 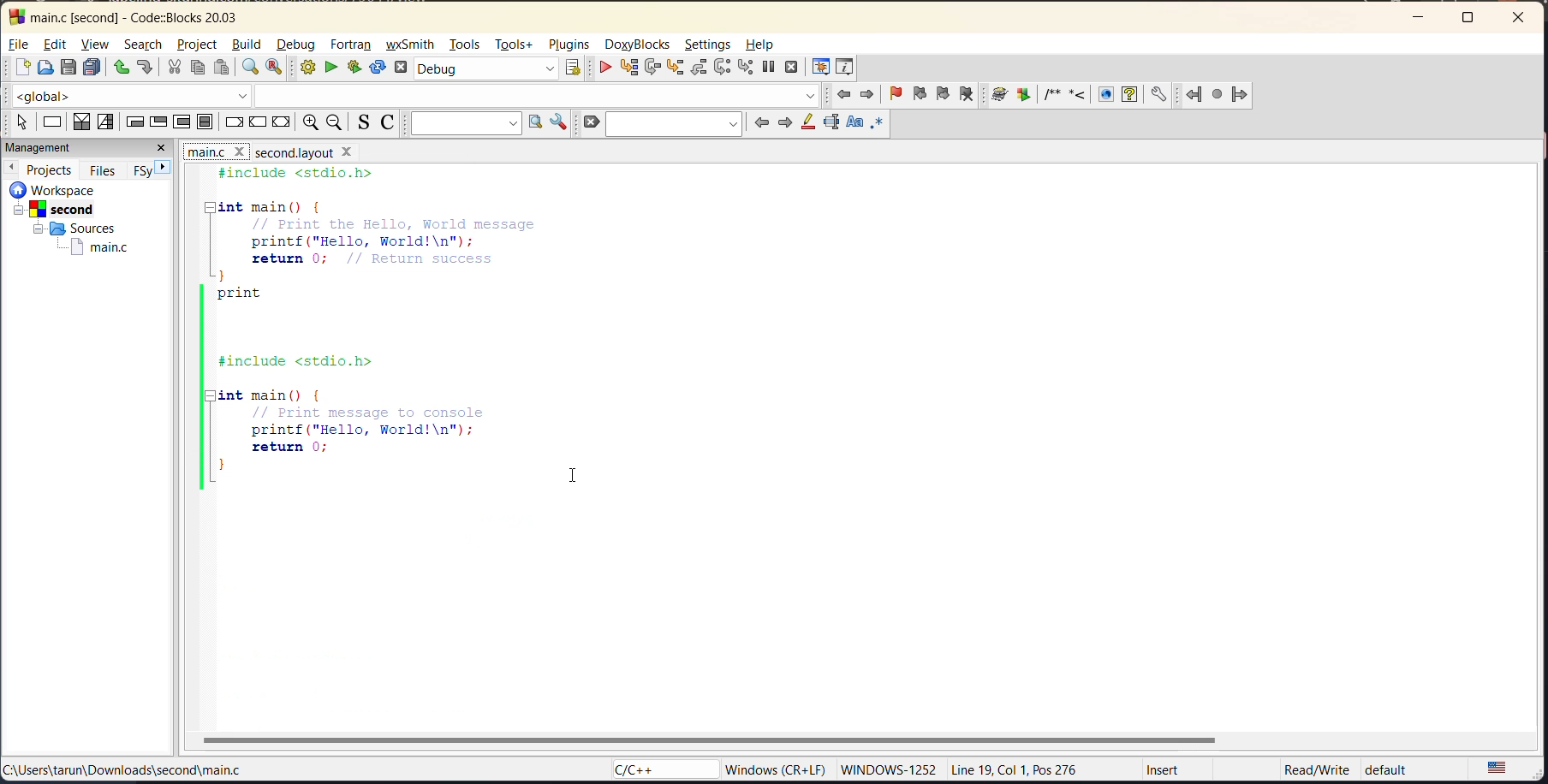 What do you see at coordinates (220, 151) in the screenshot?
I see `file names` at bounding box center [220, 151].